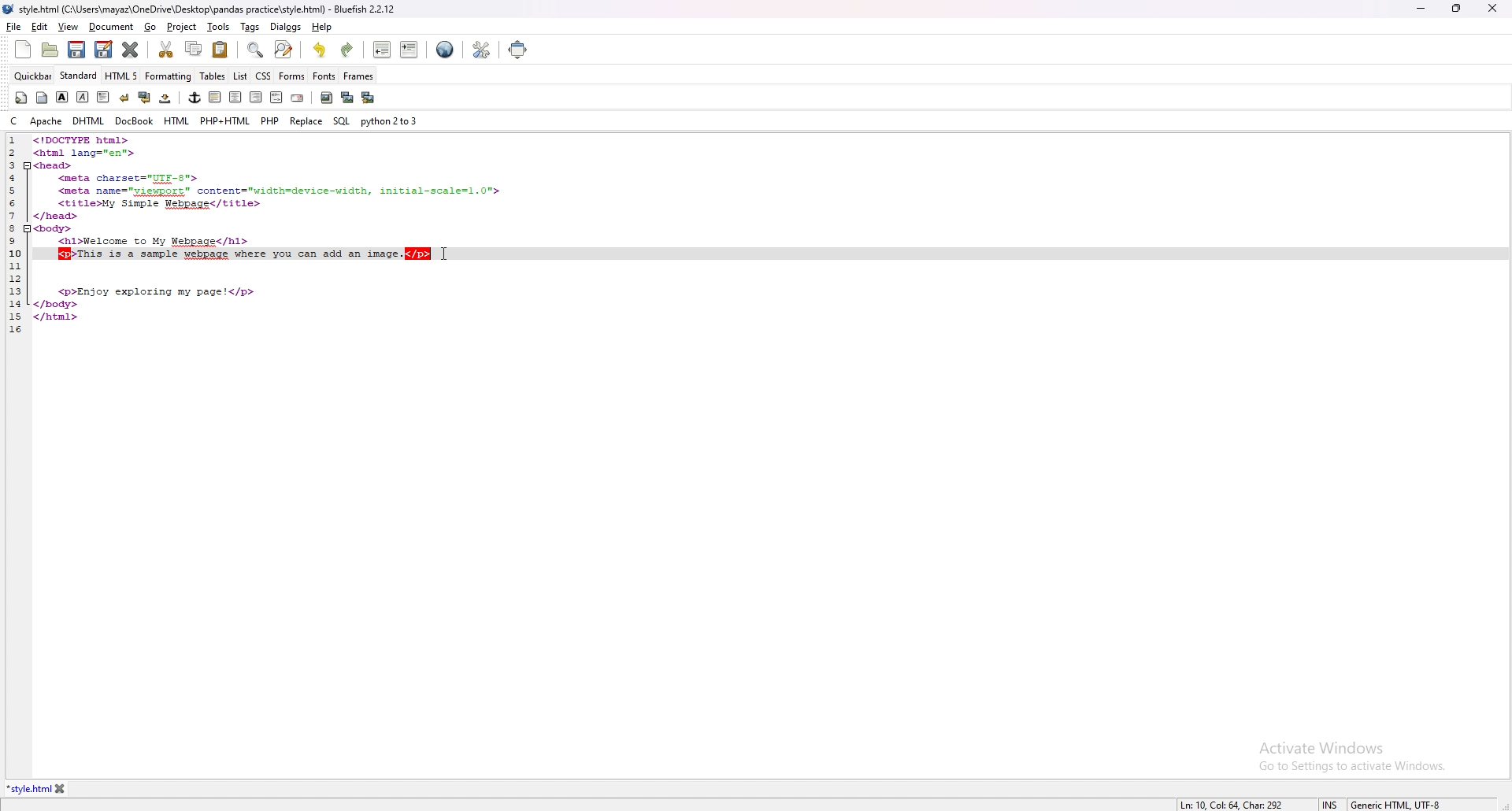  What do you see at coordinates (286, 27) in the screenshot?
I see `dialogs` at bounding box center [286, 27].